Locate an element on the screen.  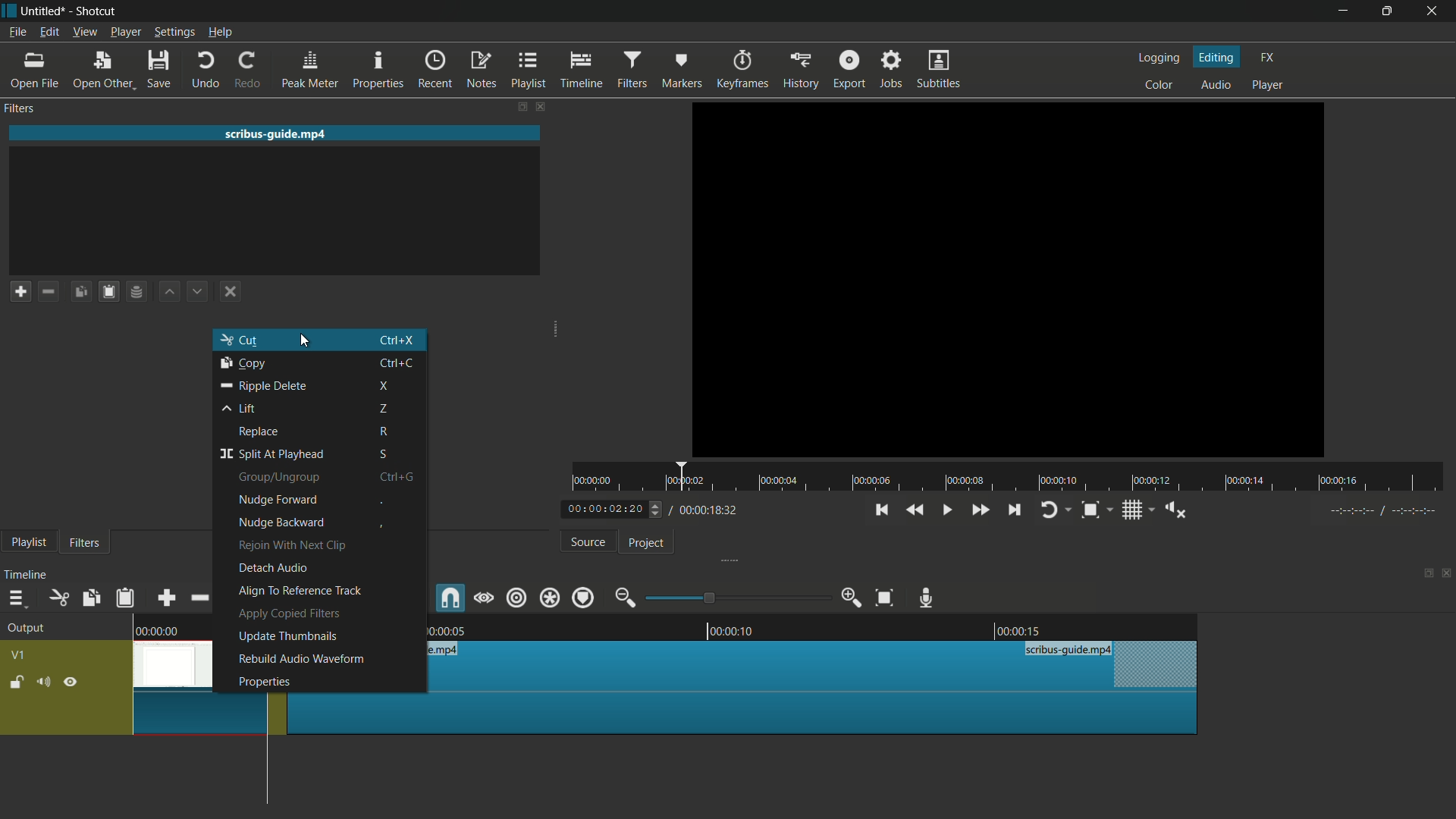
rebuild audio waveform is located at coordinates (300, 658).